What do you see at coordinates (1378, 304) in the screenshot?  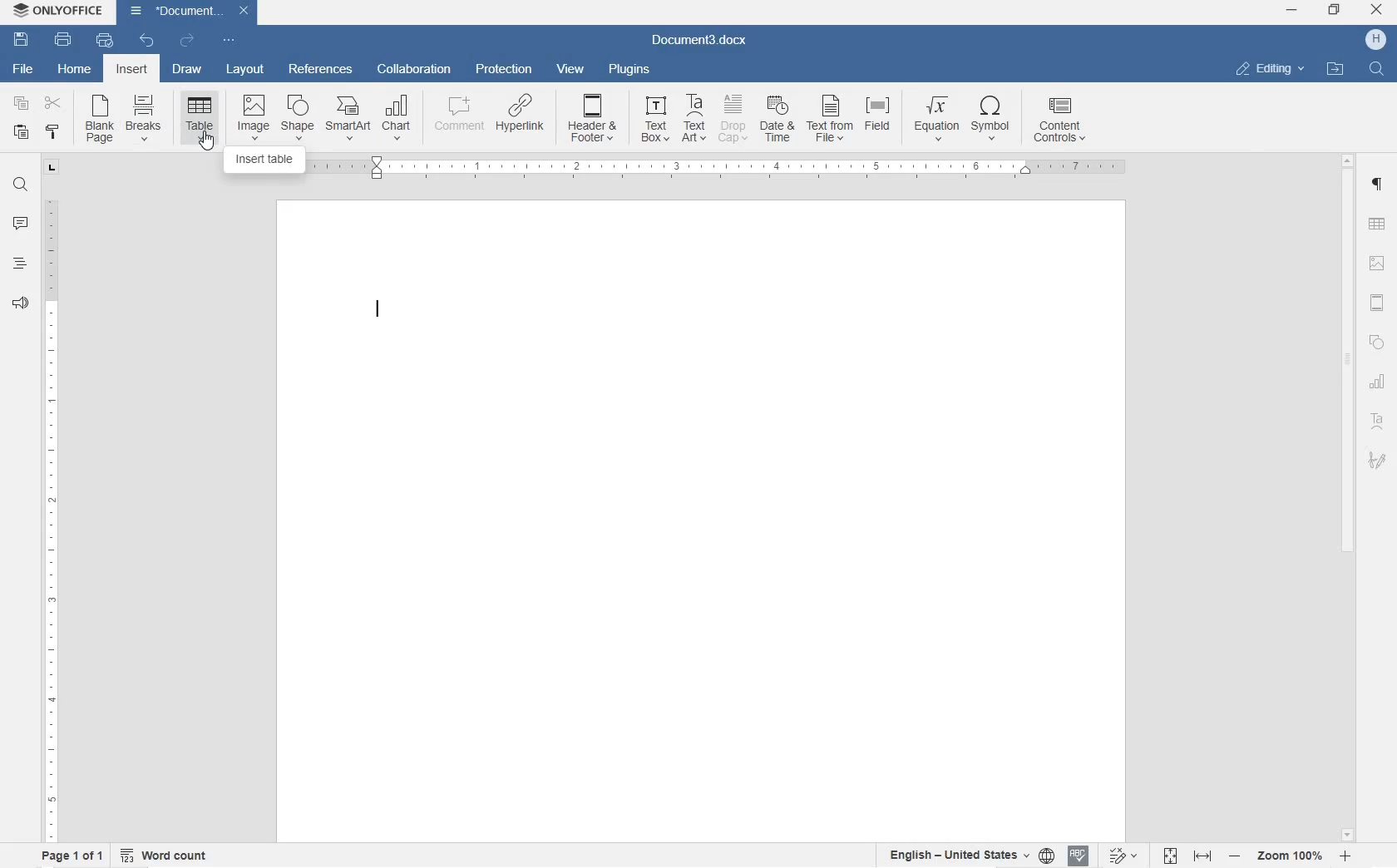 I see `HEADERS & FOOTERS` at bounding box center [1378, 304].